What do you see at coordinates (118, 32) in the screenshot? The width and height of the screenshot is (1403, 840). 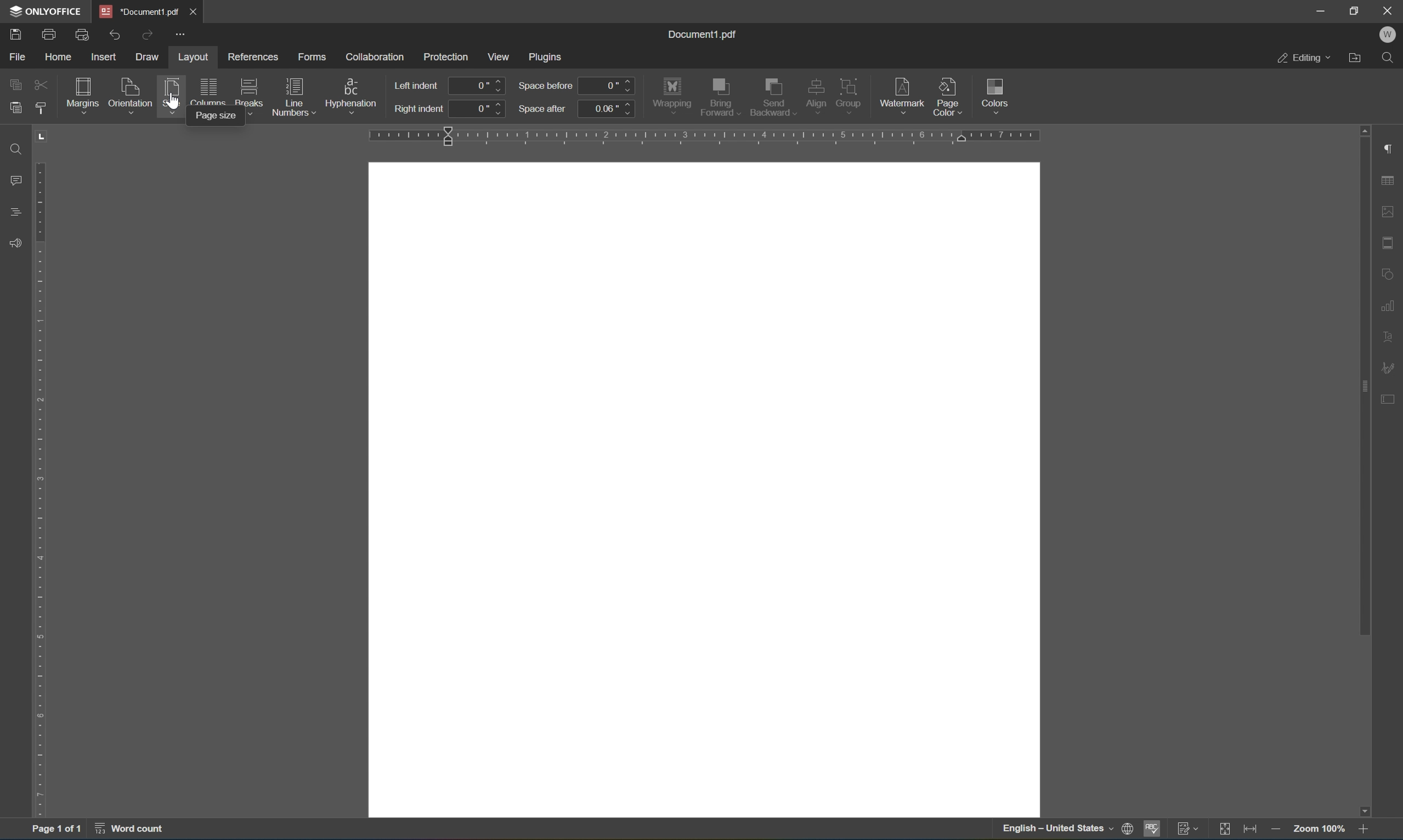 I see `undo` at bounding box center [118, 32].